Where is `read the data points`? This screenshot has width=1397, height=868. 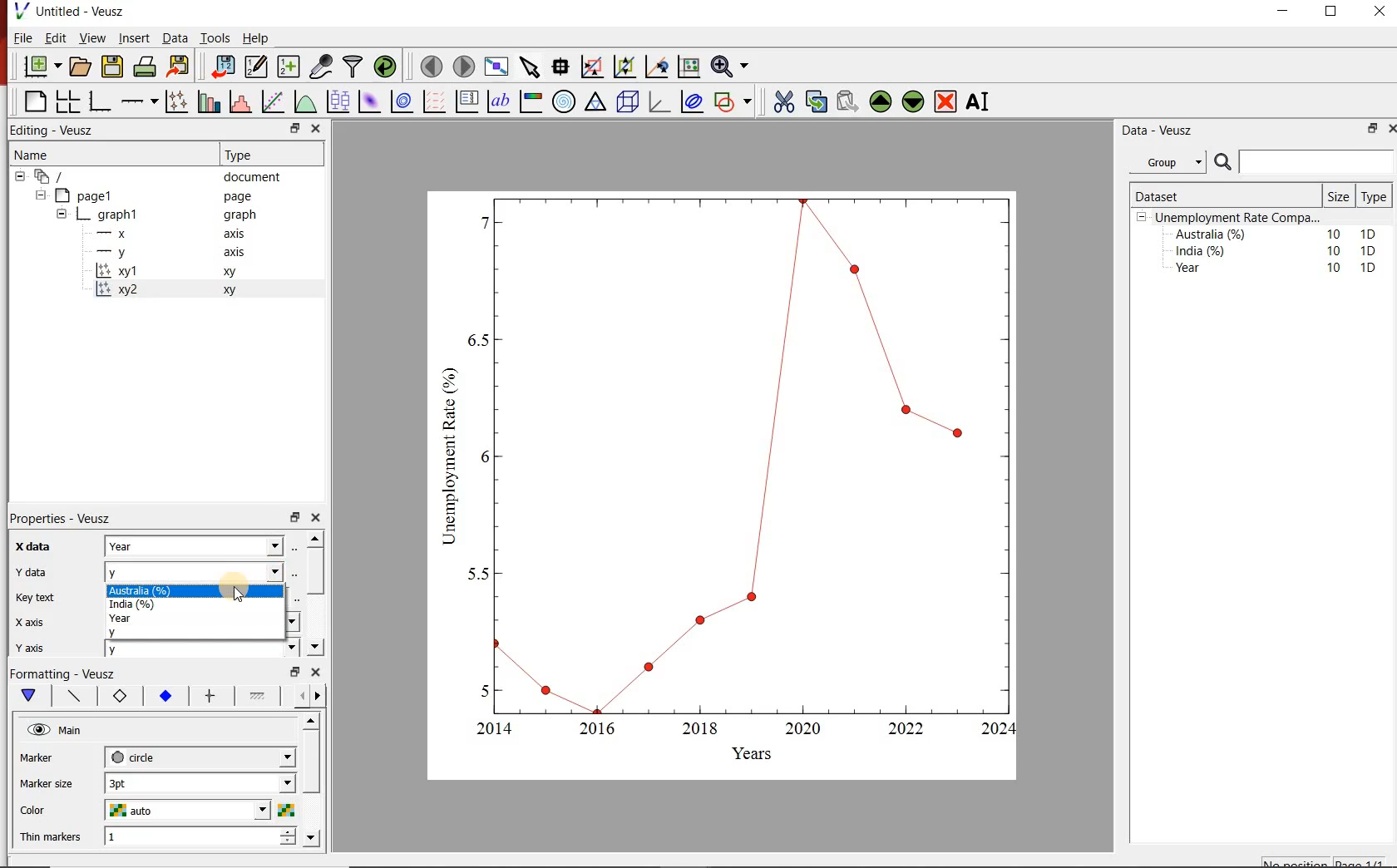 read the data points is located at coordinates (562, 66).